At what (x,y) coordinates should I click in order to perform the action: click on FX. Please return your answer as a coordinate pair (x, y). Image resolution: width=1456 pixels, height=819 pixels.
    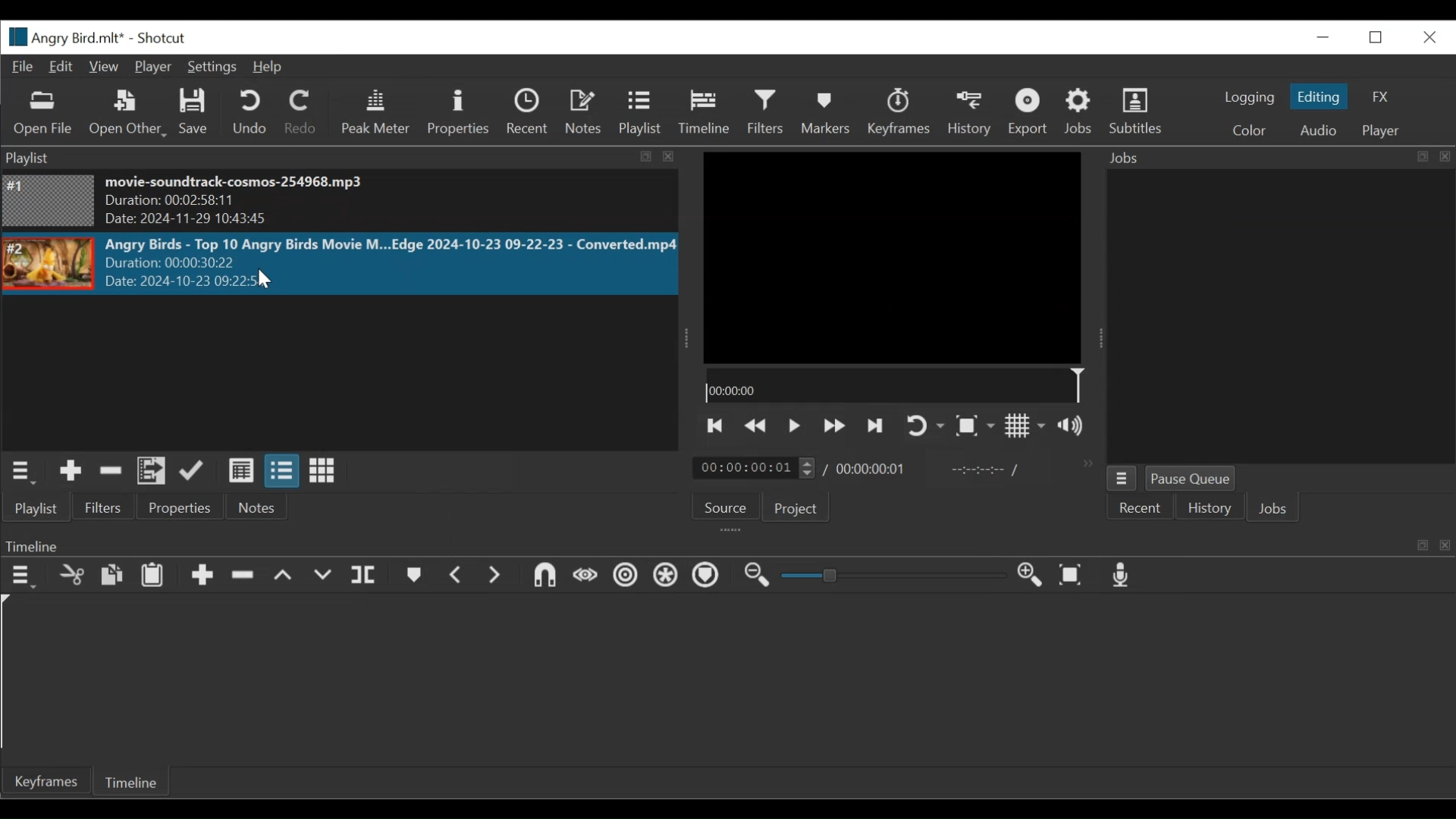
    Looking at the image, I should click on (1382, 99).